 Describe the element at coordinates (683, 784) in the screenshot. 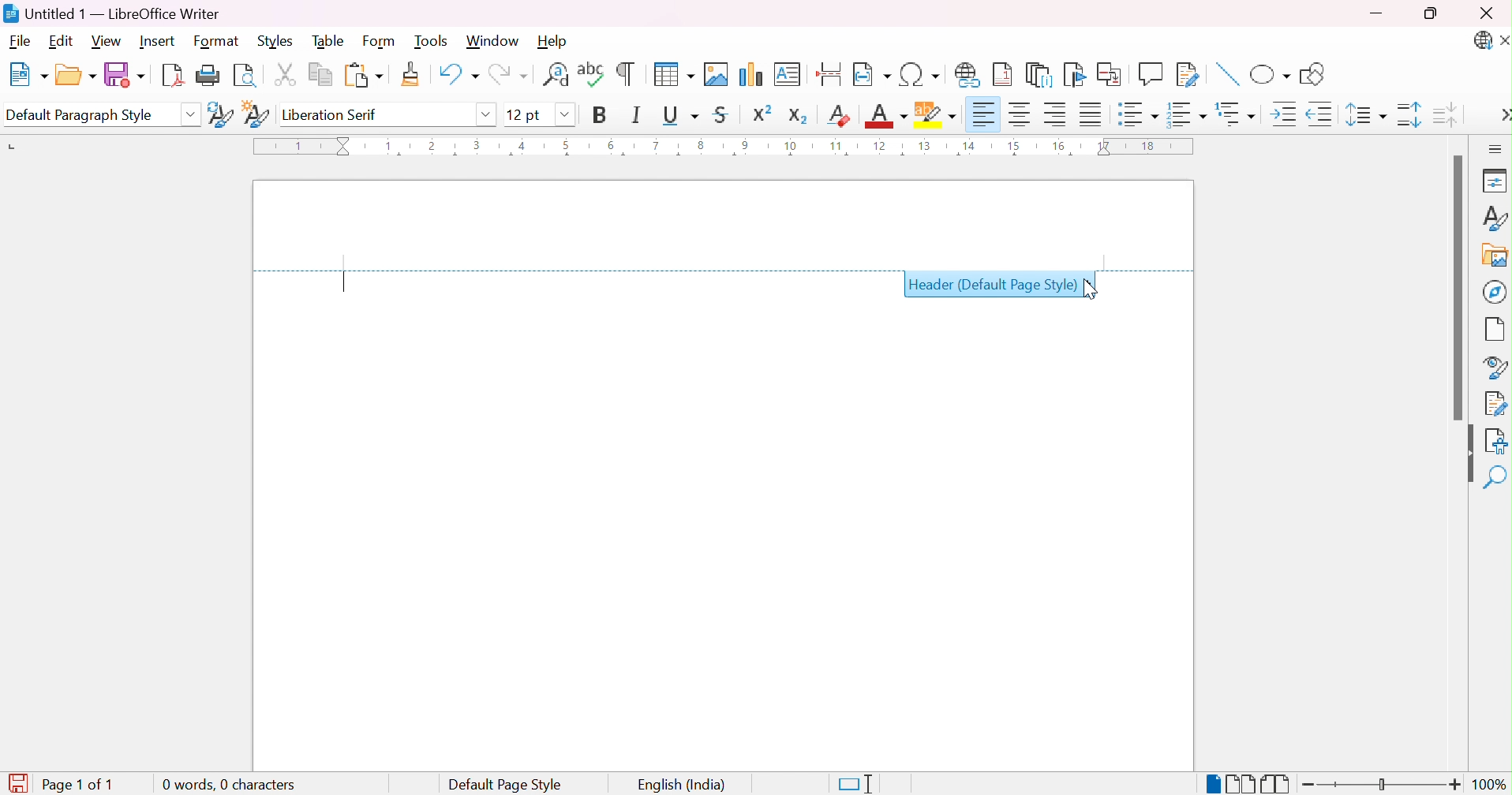

I see `English (India)` at that location.